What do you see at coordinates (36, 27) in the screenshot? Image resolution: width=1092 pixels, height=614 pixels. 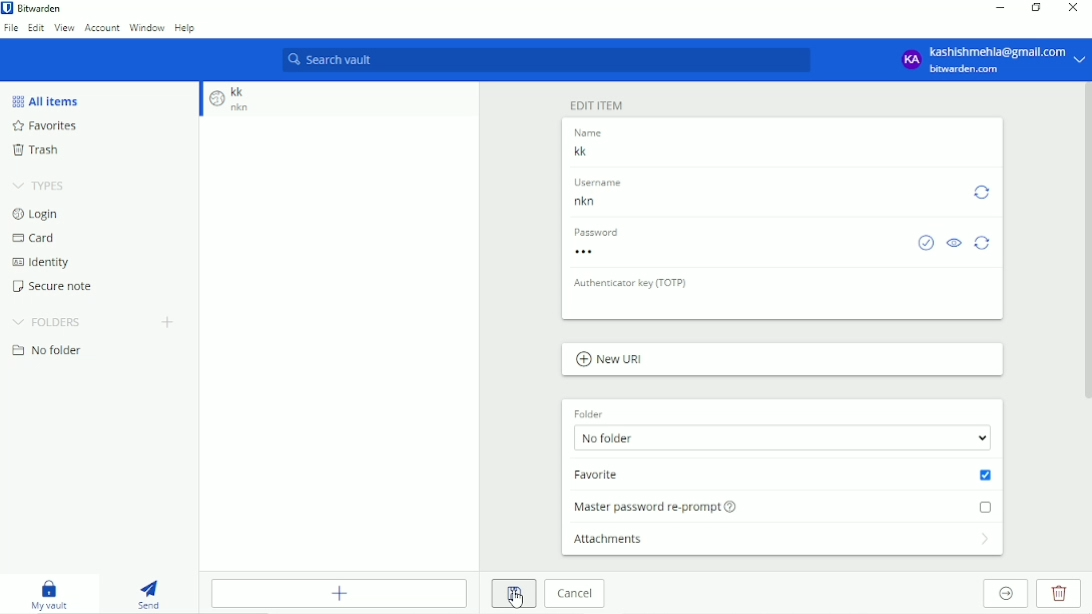 I see `Edit` at bounding box center [36, 27].